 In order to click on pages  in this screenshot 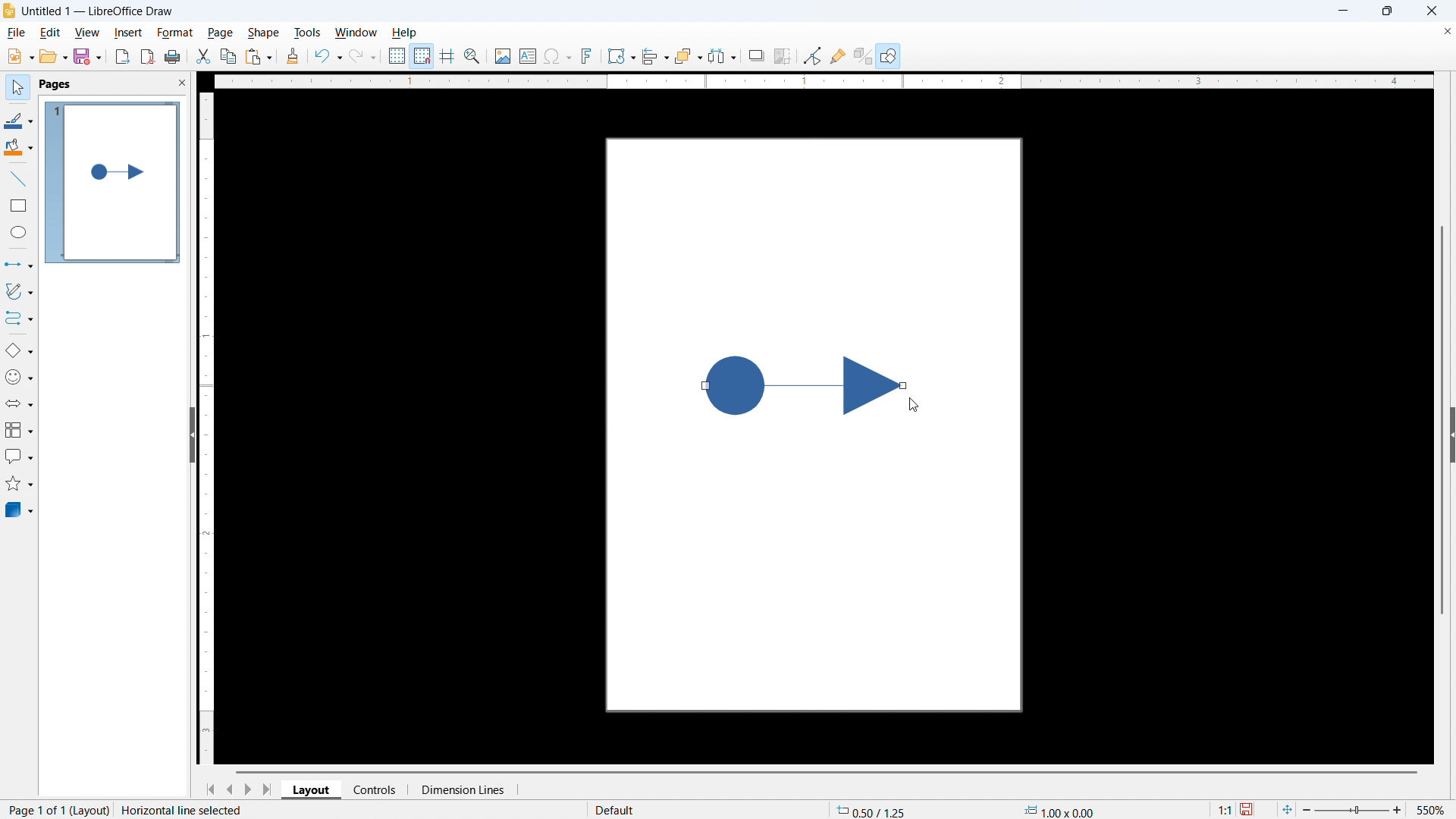, I will do `click(57, 84)`.